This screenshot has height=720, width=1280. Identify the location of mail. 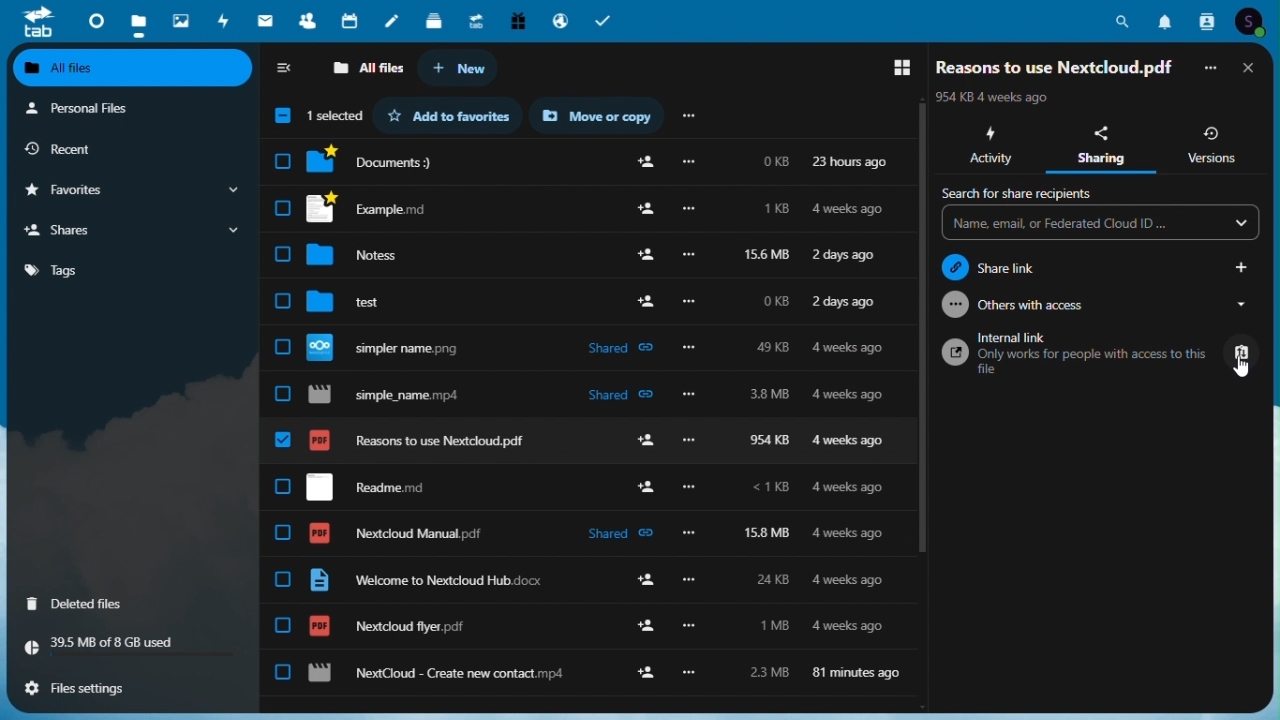
(266, 23).